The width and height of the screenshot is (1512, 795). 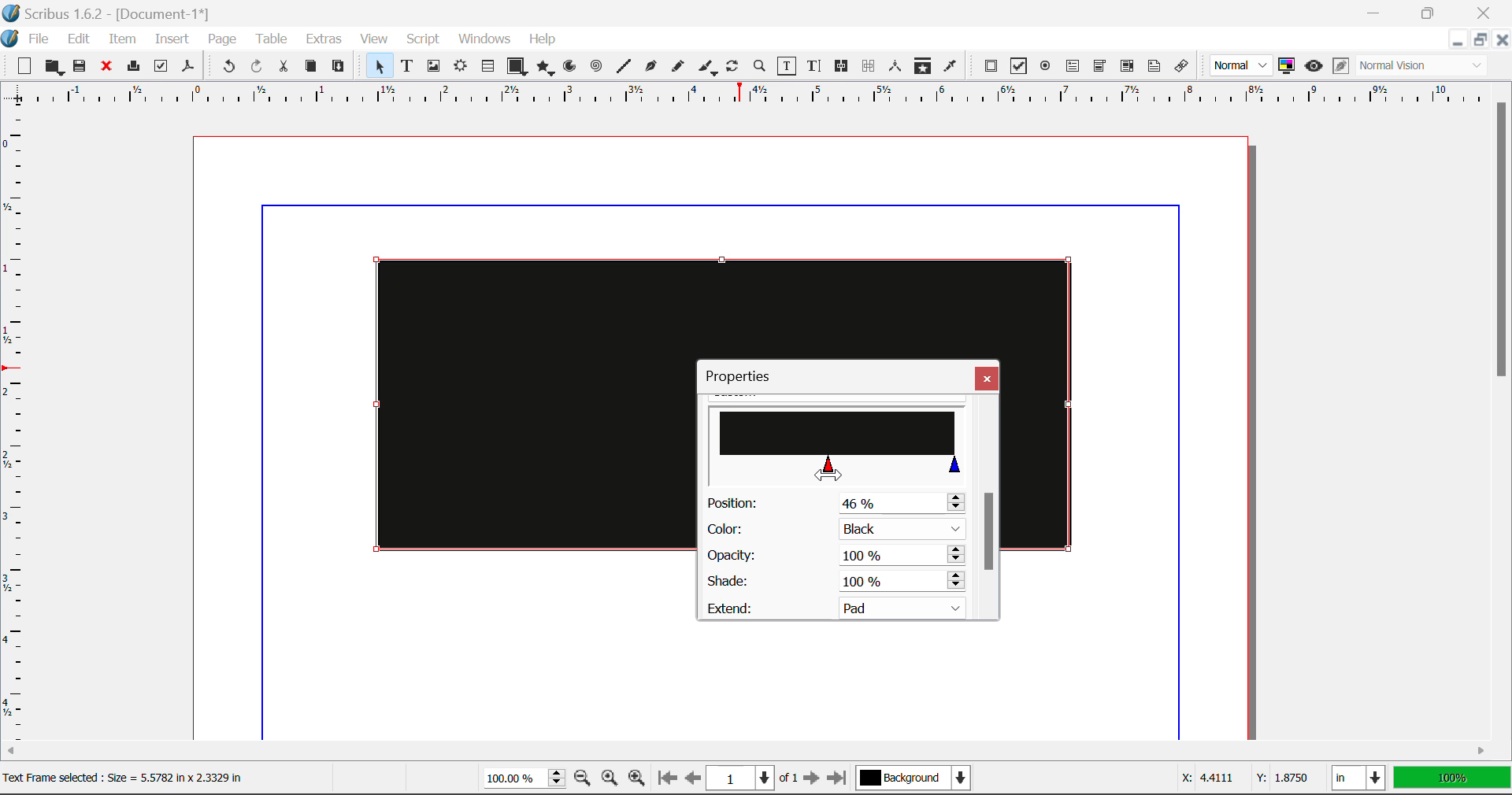 I want to click on PDF Combo Box, so click(x=1099, y=68).